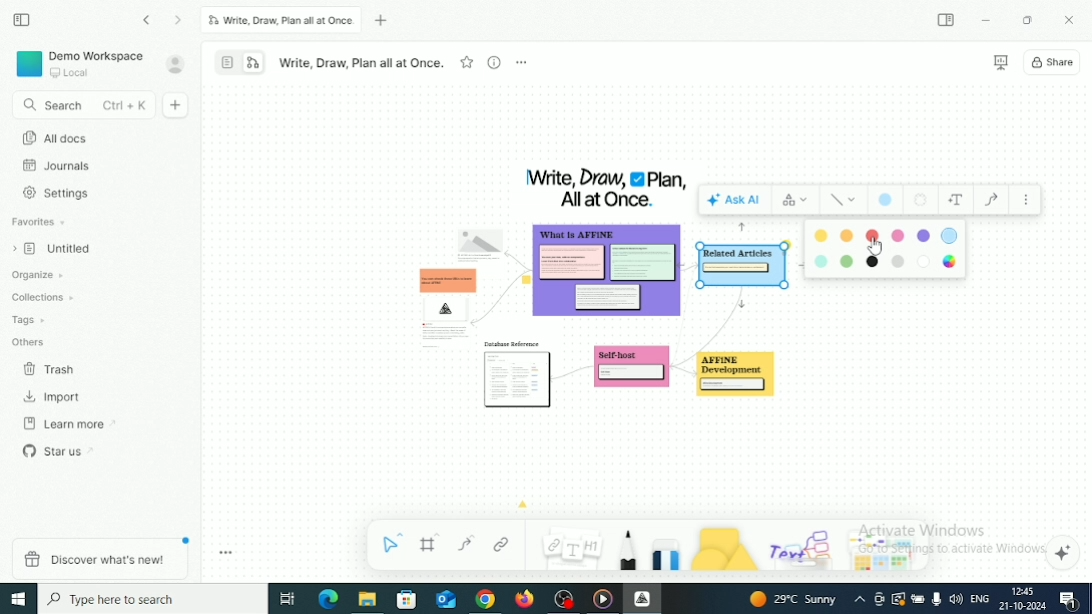 The height and width of the screenshot is (614, 1092). I want to click on Pen, so click(627, 550).